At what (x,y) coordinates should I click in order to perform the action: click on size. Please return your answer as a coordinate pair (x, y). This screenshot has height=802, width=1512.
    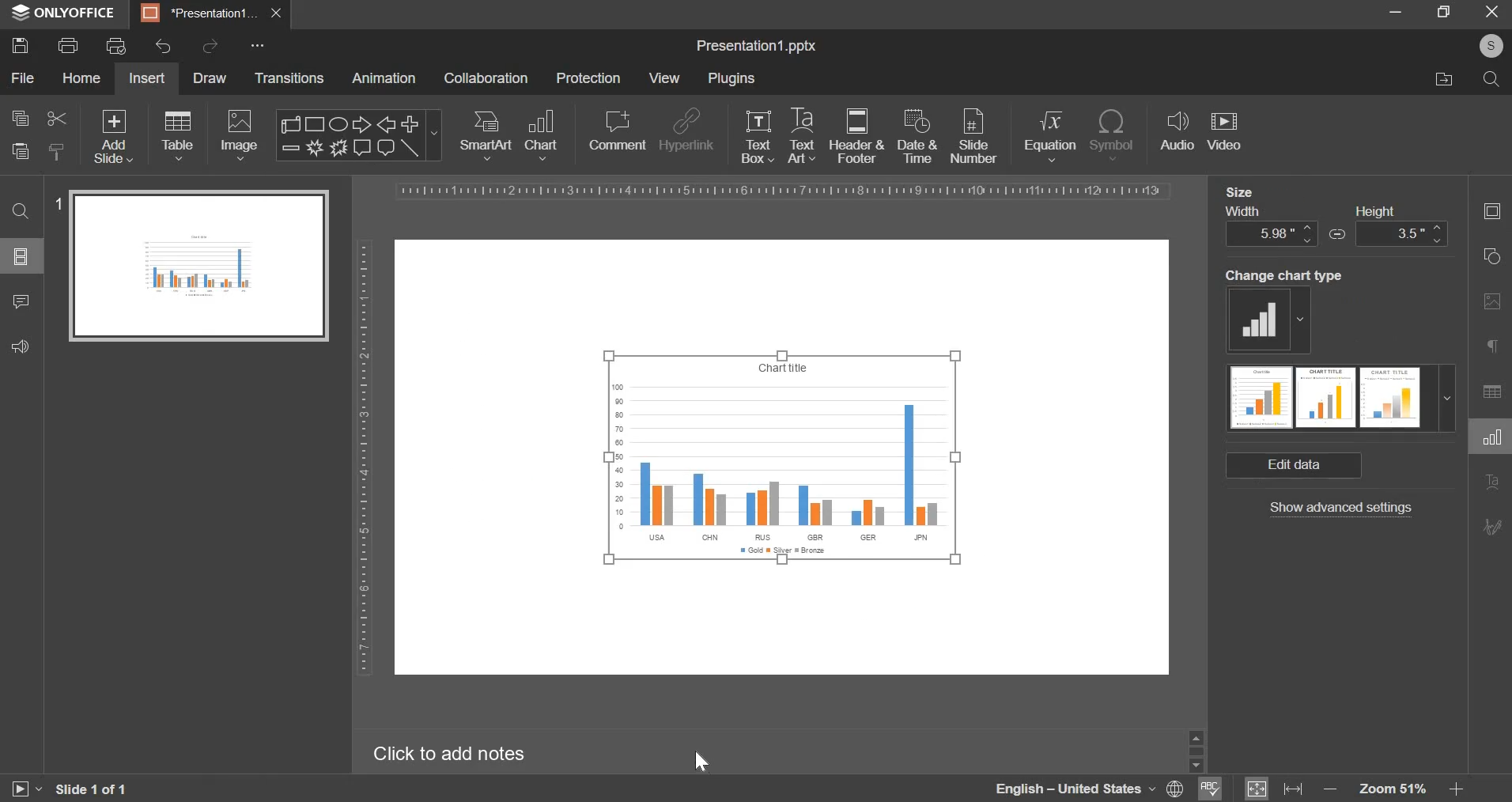
    Looking at the image, I should click on (1240, 194).